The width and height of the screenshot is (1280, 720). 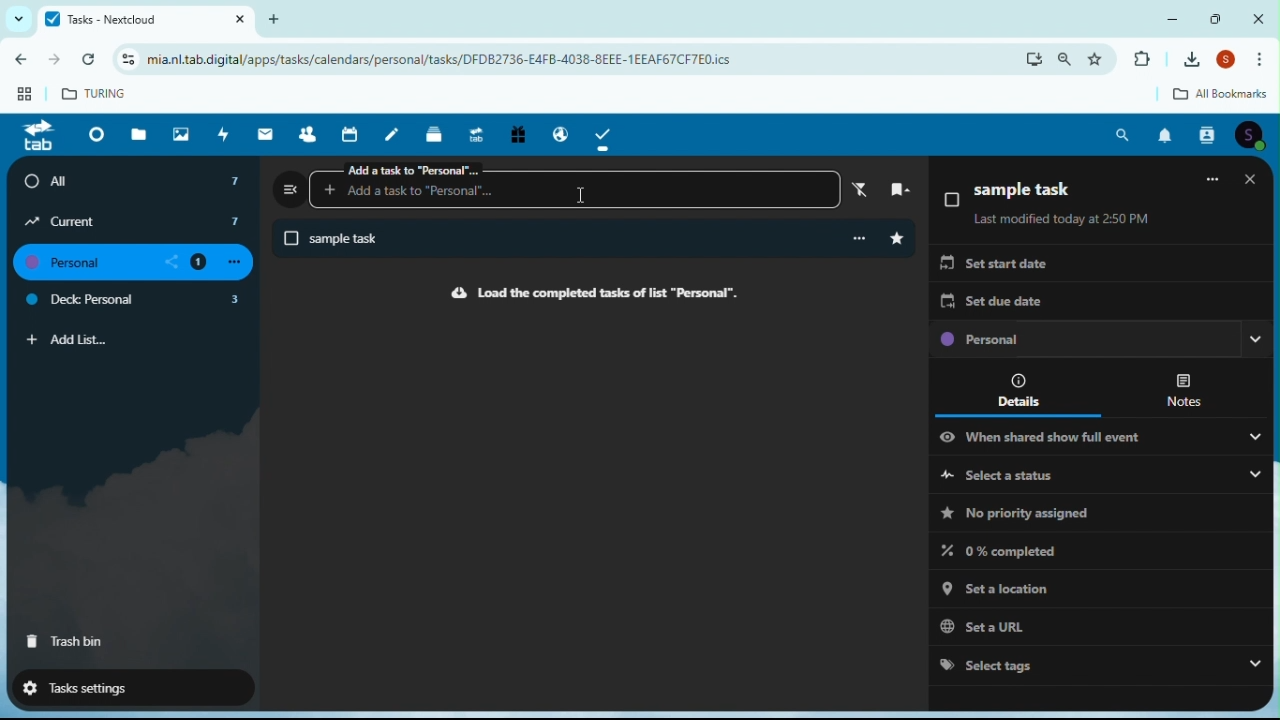 I want to click on More options, so click(x=857, y=239).